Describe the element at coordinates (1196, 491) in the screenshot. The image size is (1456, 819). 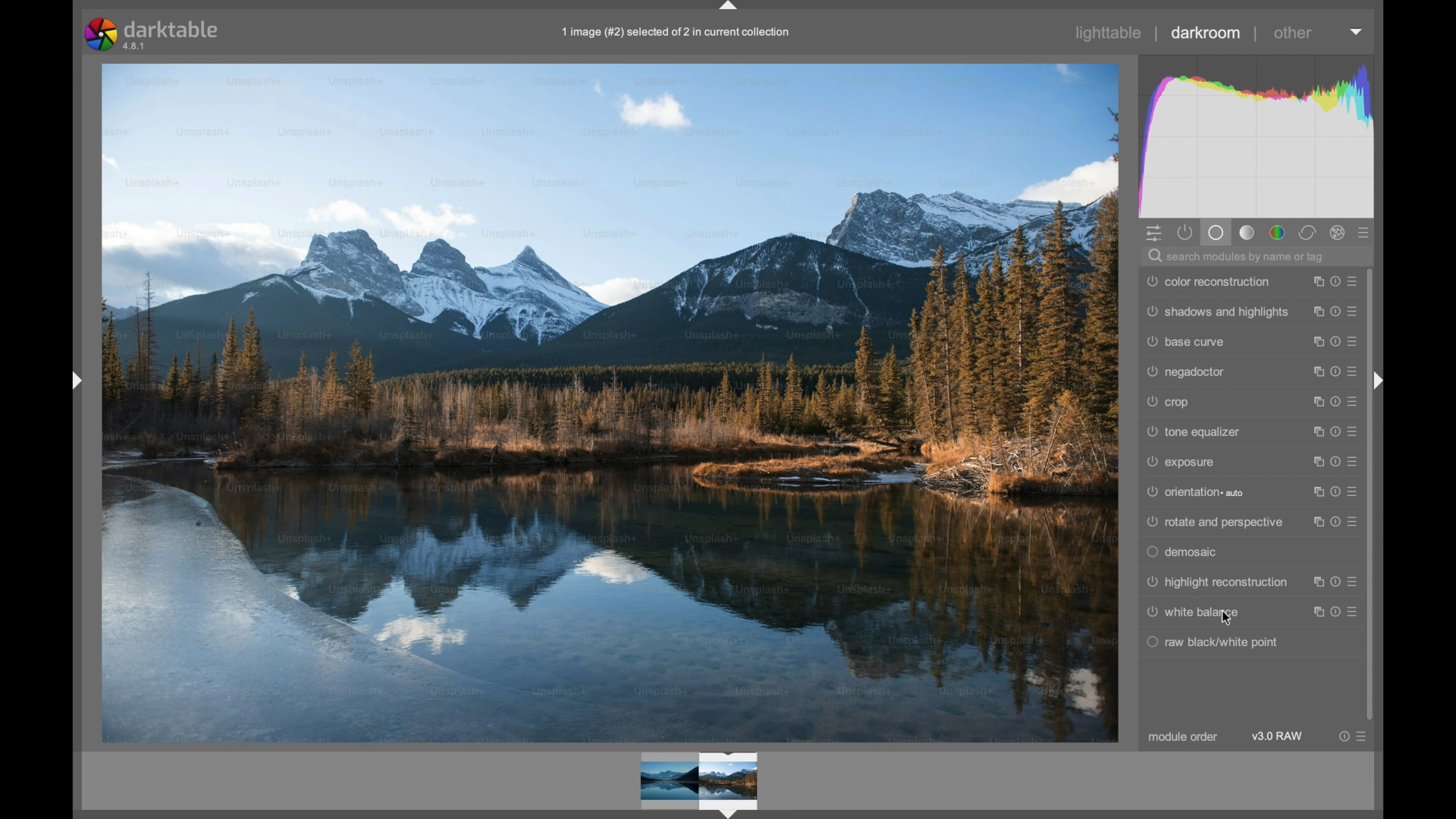
I see `orientation auto` at that location.